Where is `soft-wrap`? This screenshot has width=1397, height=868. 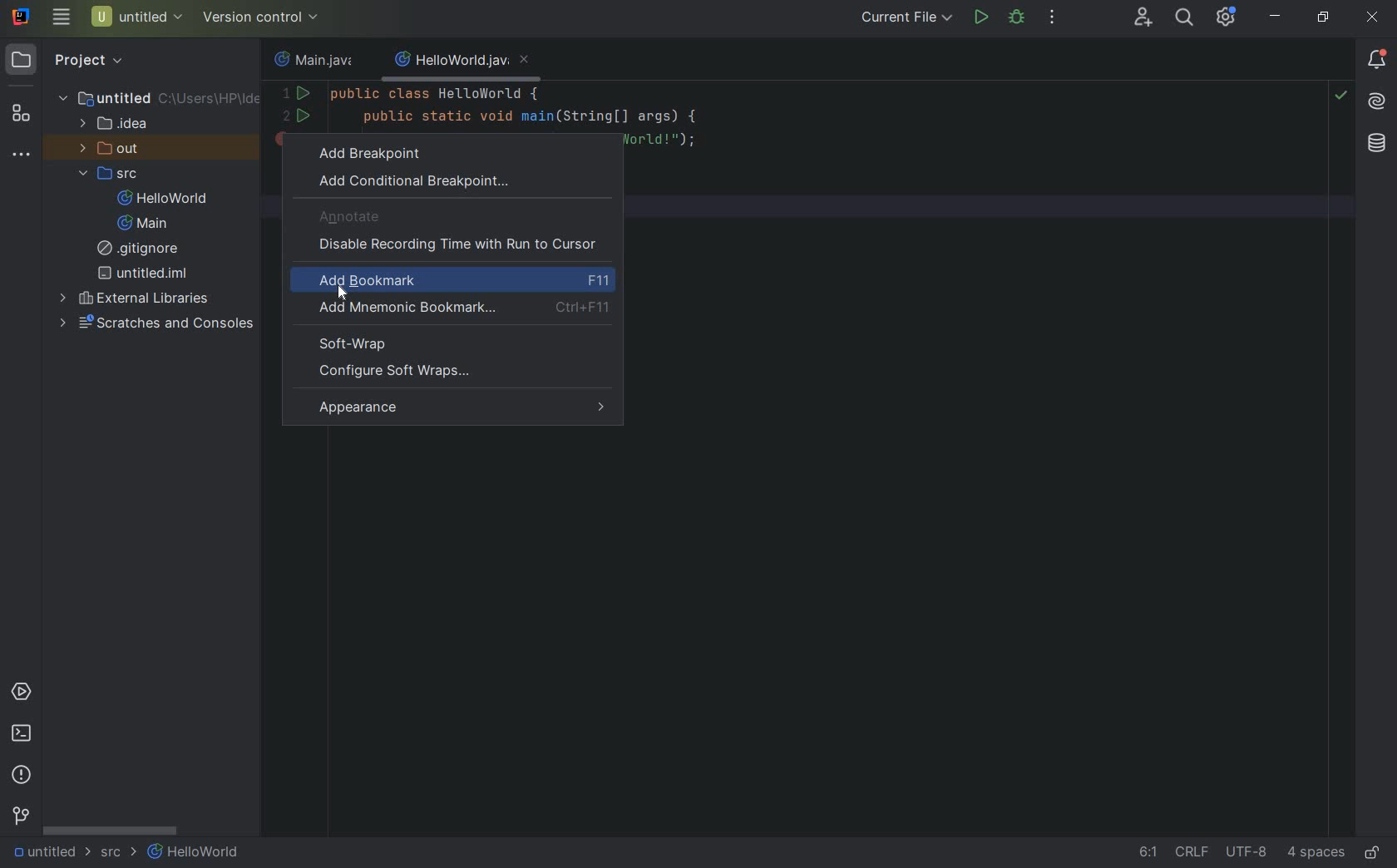 soft-wrap is located at coordinates (356, 343).